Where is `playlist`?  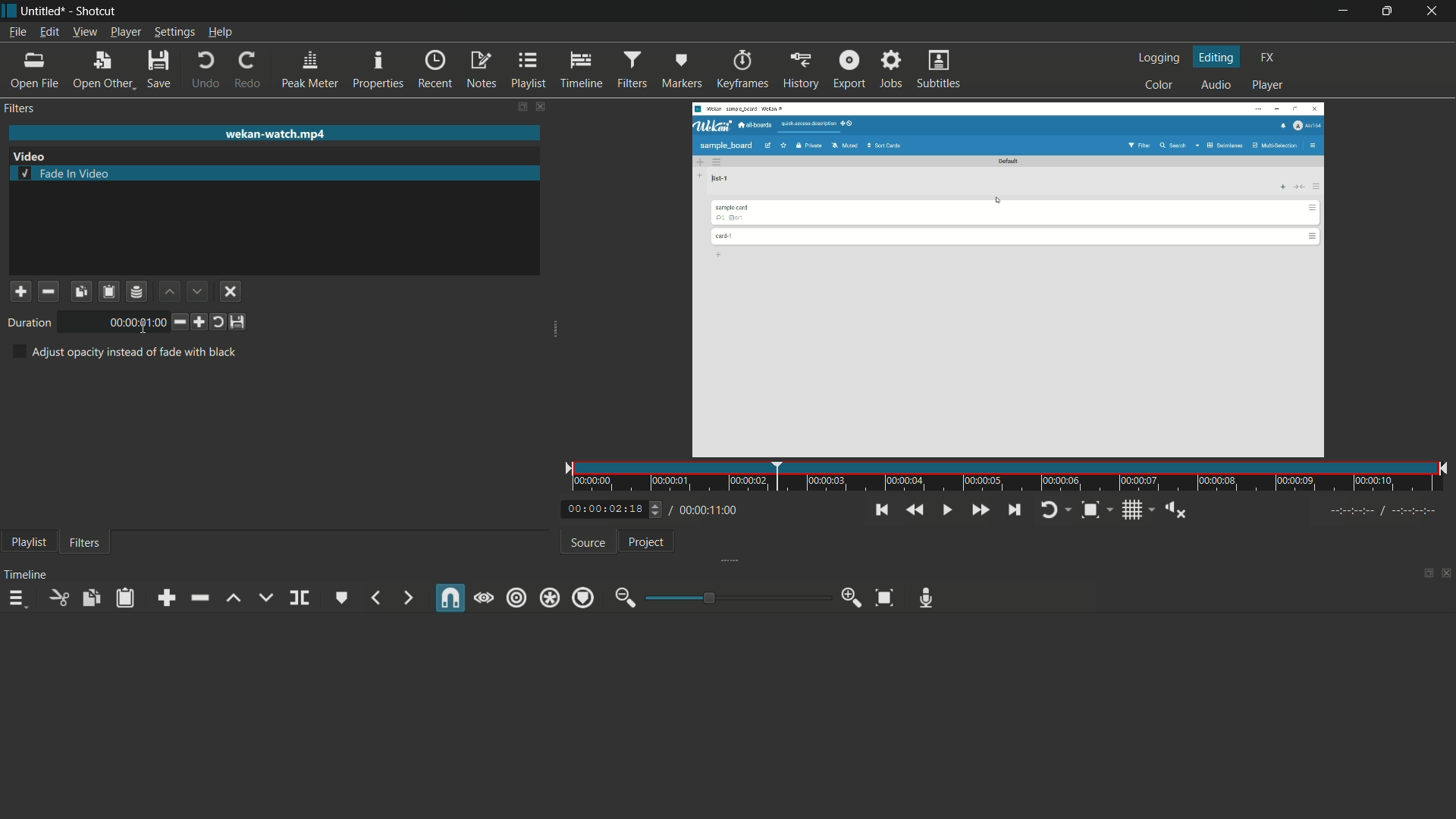 playlist is located at coordinates (30, 542).